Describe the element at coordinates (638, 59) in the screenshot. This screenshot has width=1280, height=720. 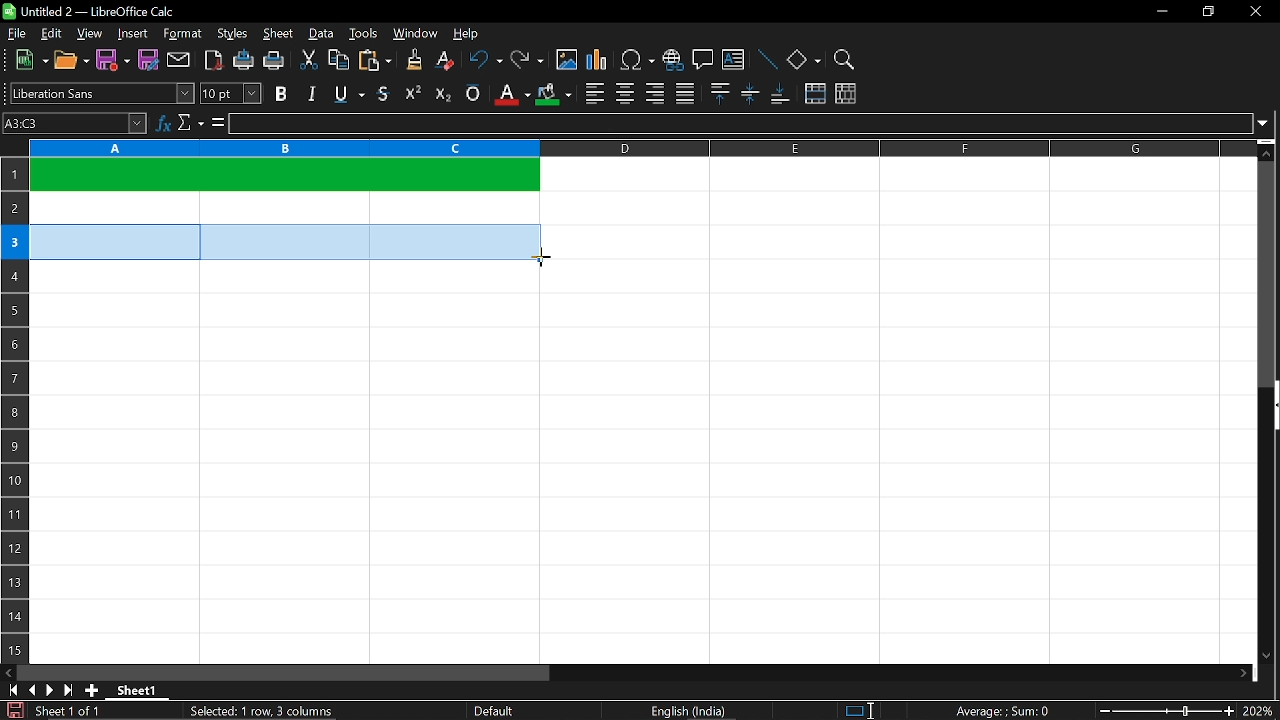
I see `insert symbol` at that location.